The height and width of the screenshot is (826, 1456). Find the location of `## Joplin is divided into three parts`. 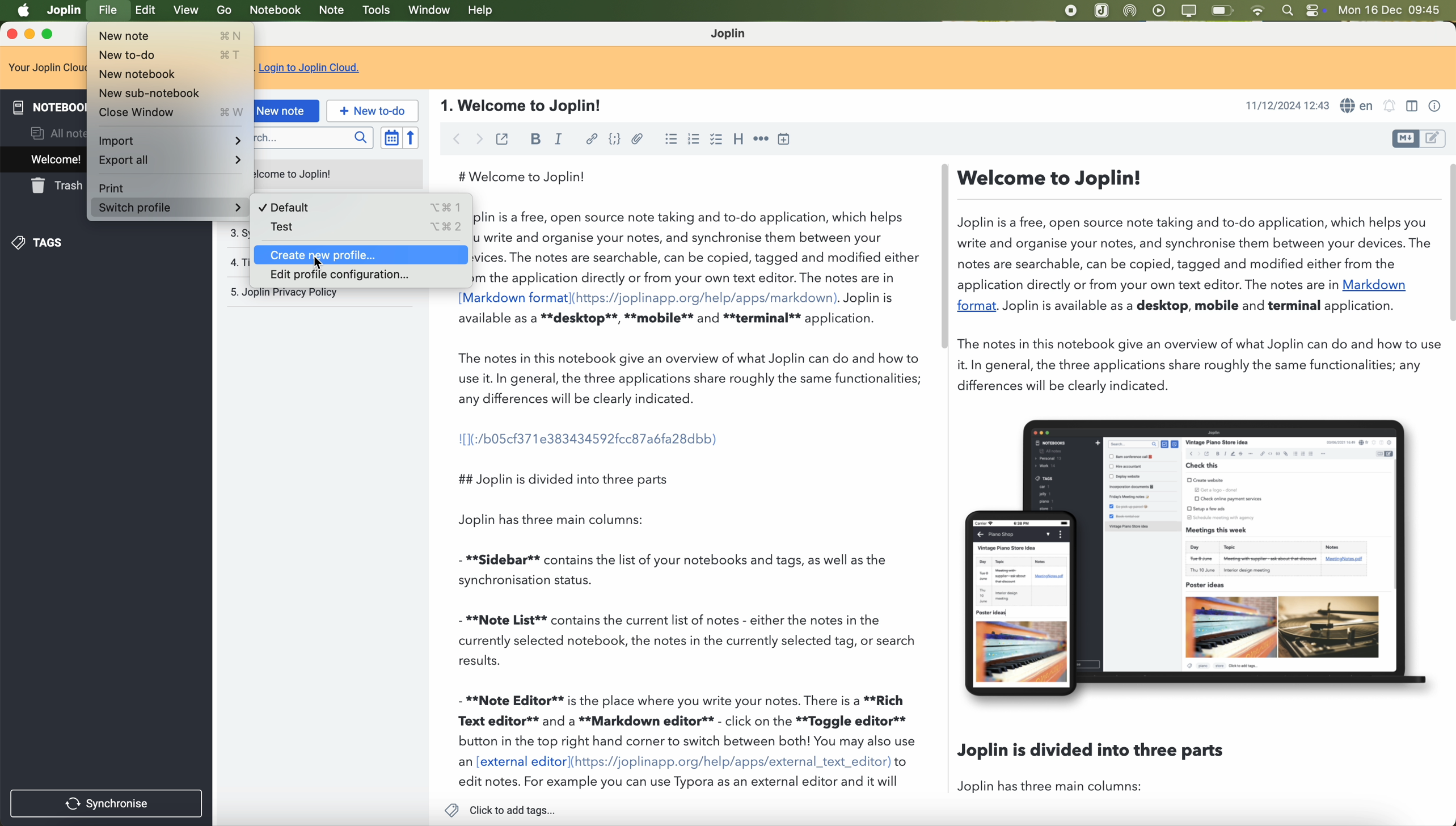

## Joplin is divided into three parts is located at coordinates (563, 478).